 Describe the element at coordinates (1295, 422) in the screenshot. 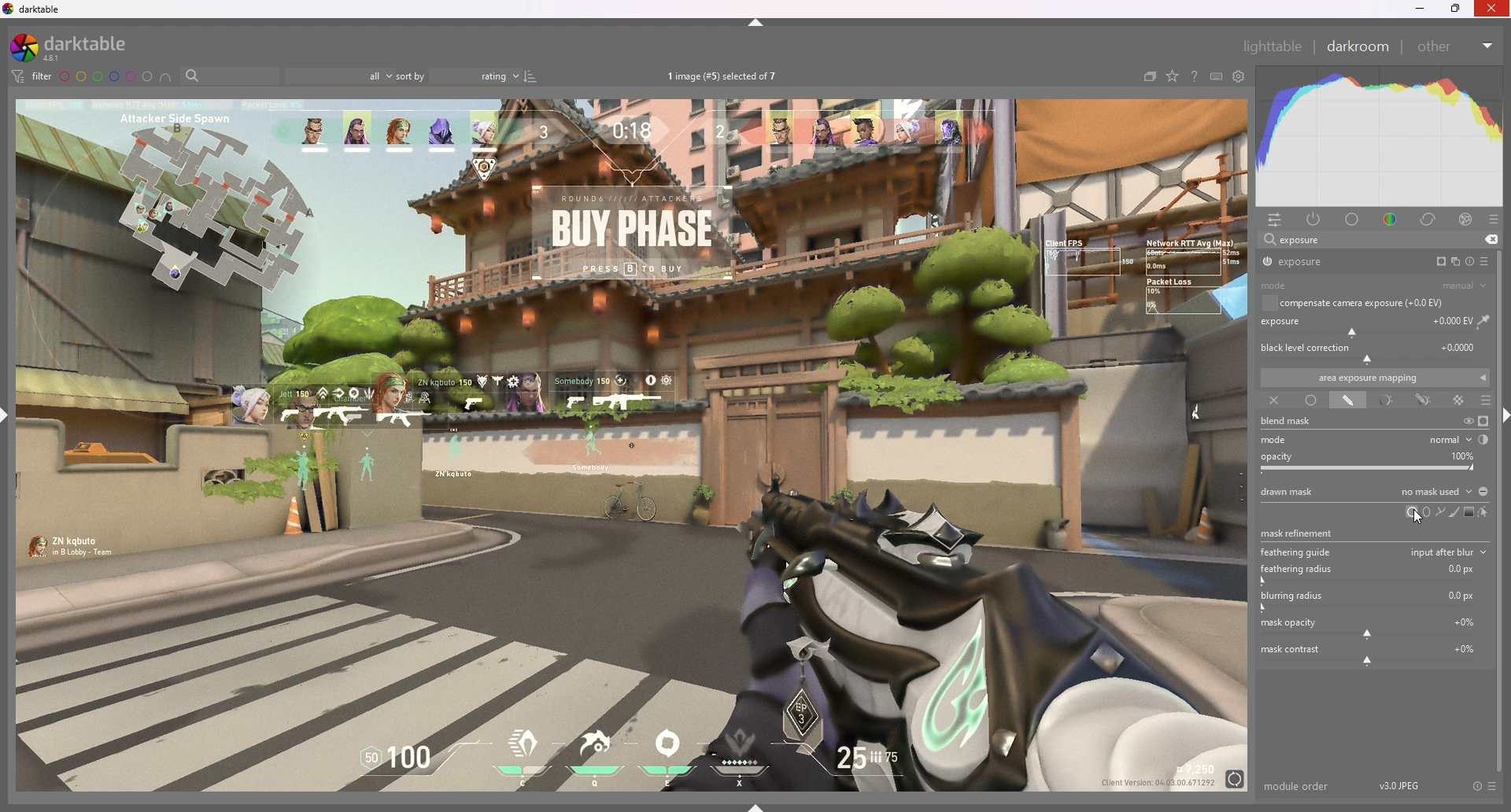

I see `blend mask` at that location.